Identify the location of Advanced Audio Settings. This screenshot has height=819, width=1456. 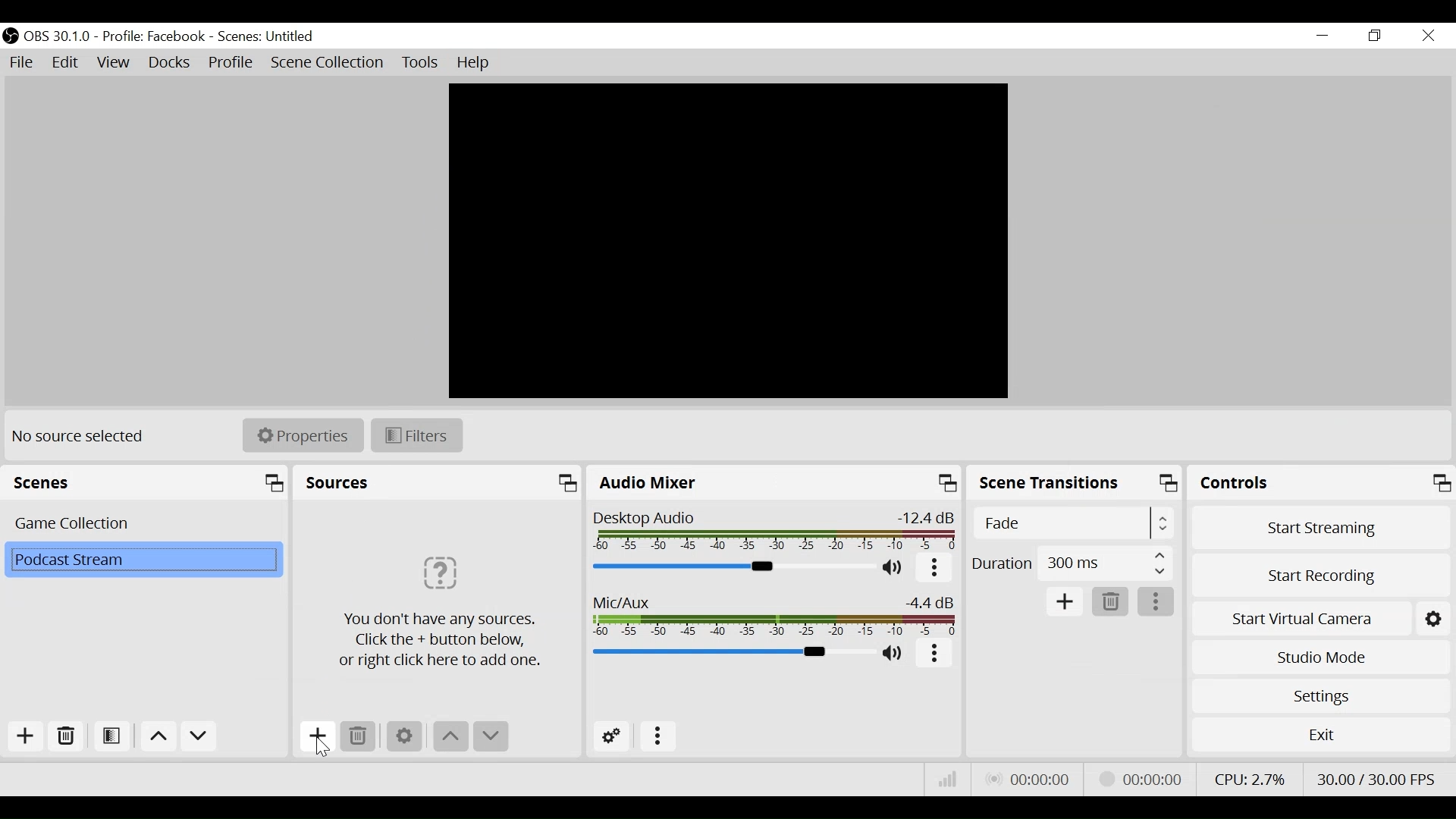
(613, 736).